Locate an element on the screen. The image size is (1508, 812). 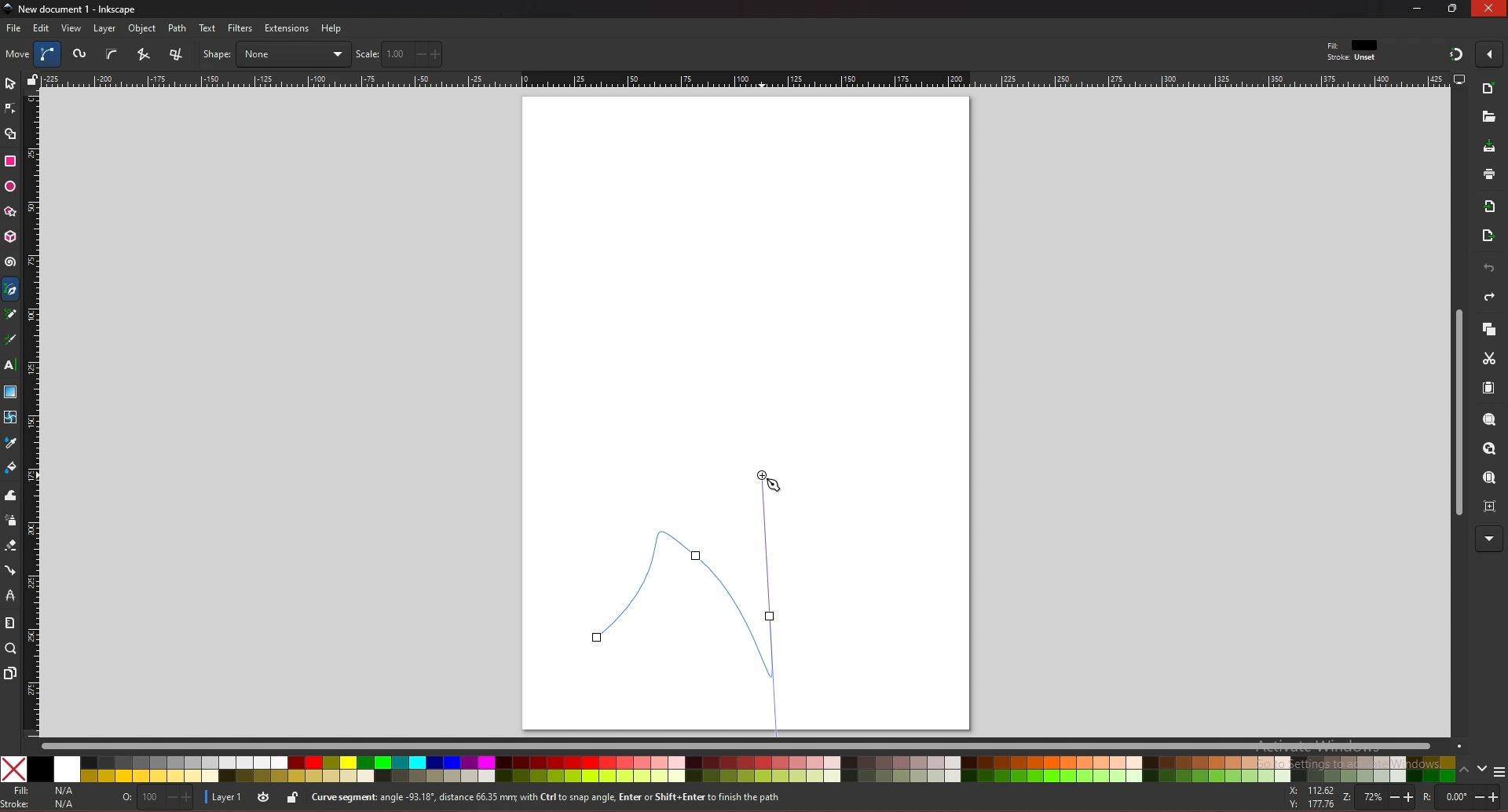
more is located at coordinates (1489, 540).